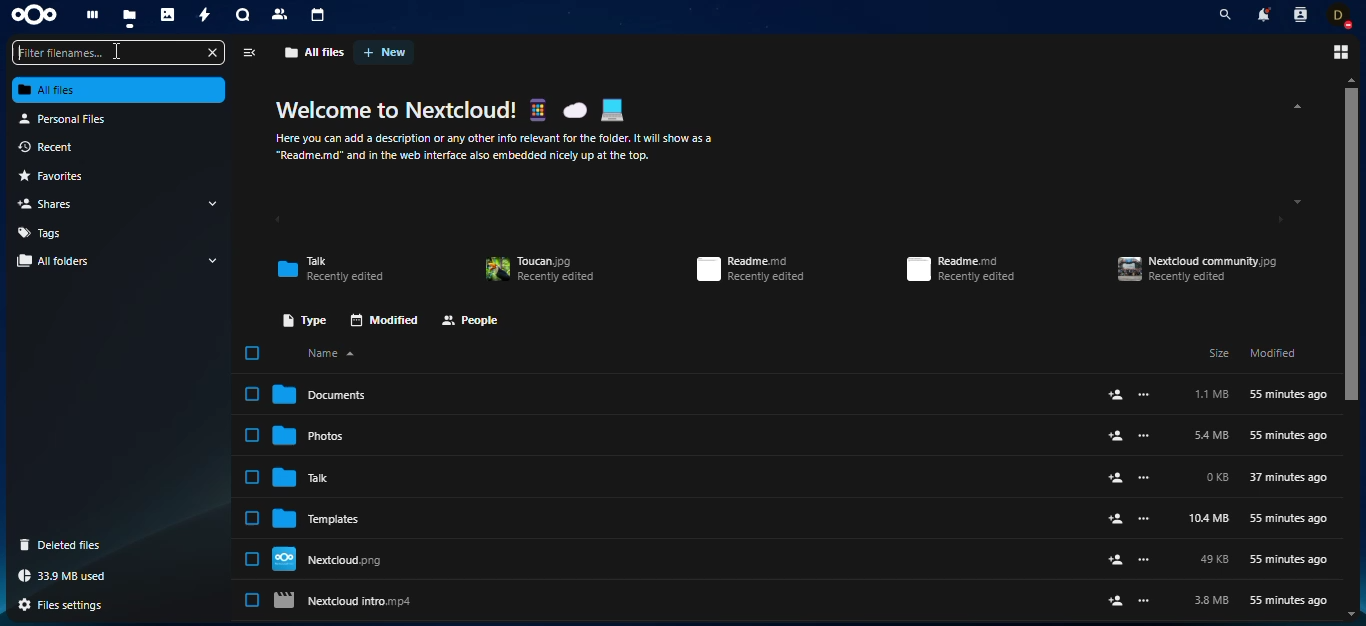  Describe the element at coordinates (206, 16) in the screenshot. I see `activity` at that location.